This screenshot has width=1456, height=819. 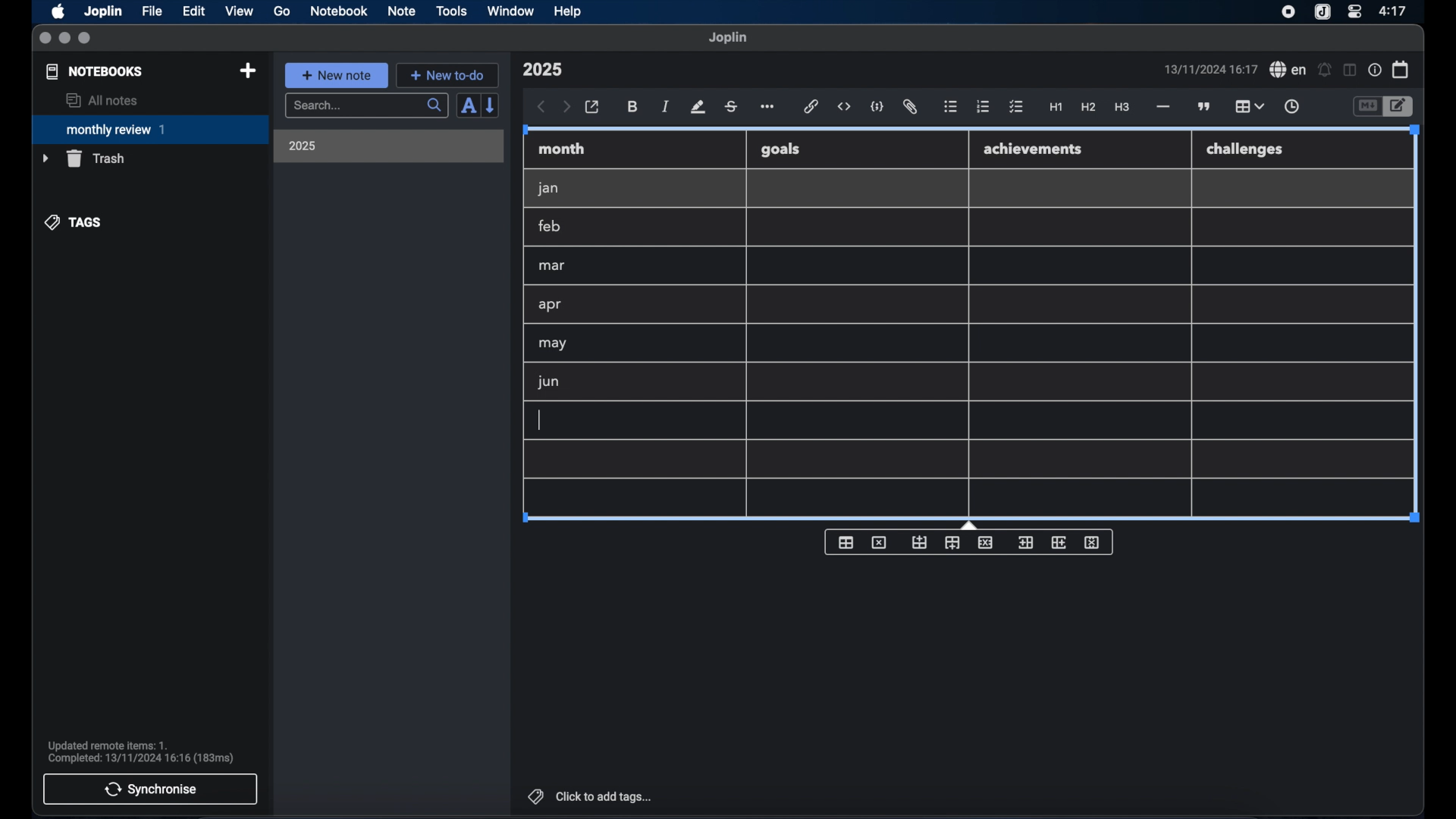 I want to click on note, so click(x=402, y=11).